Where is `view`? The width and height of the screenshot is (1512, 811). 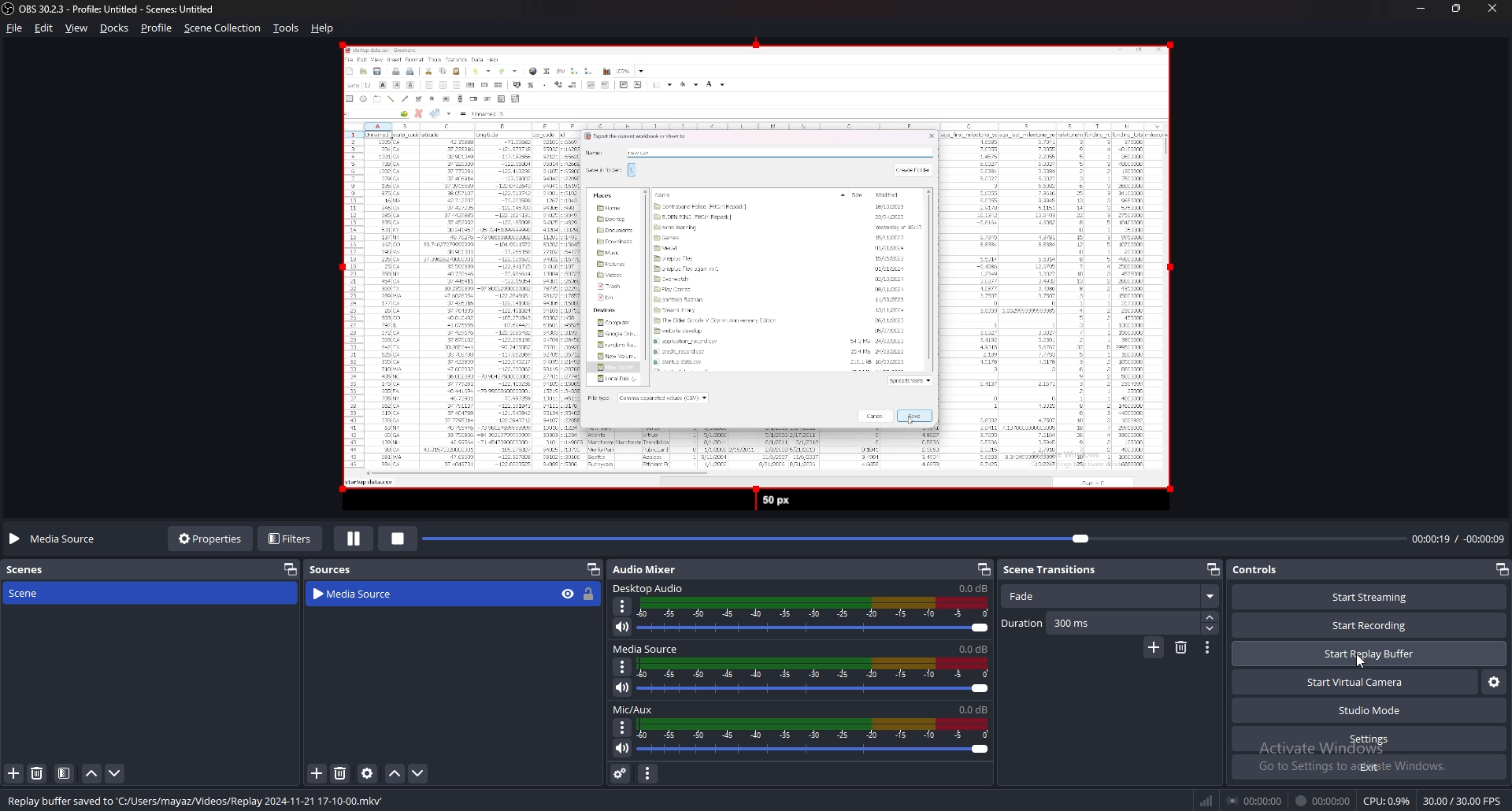
view is located at coordinates (77, 28).